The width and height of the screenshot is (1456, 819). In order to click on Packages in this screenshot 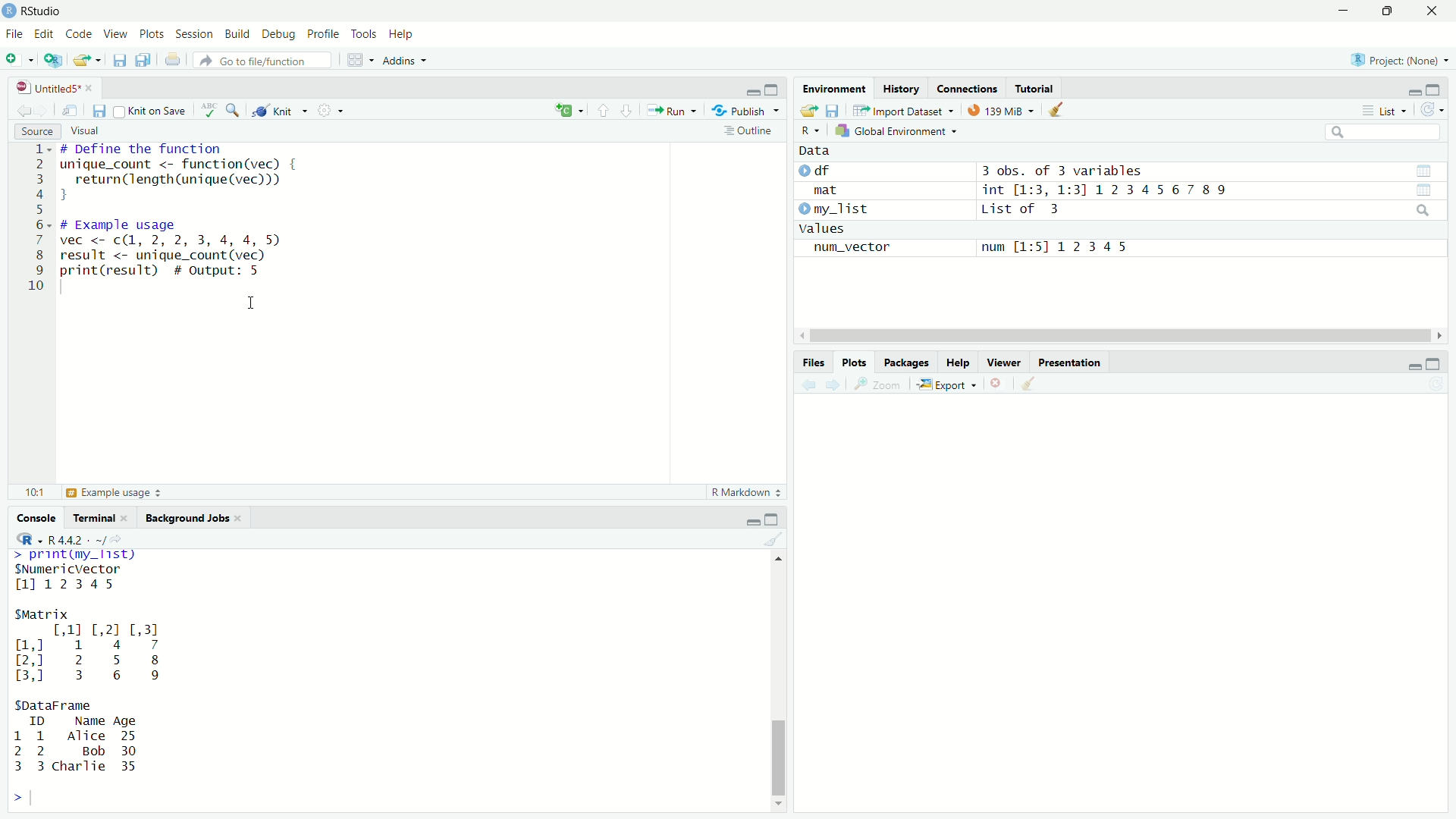, I will do `click(905, 362)`.